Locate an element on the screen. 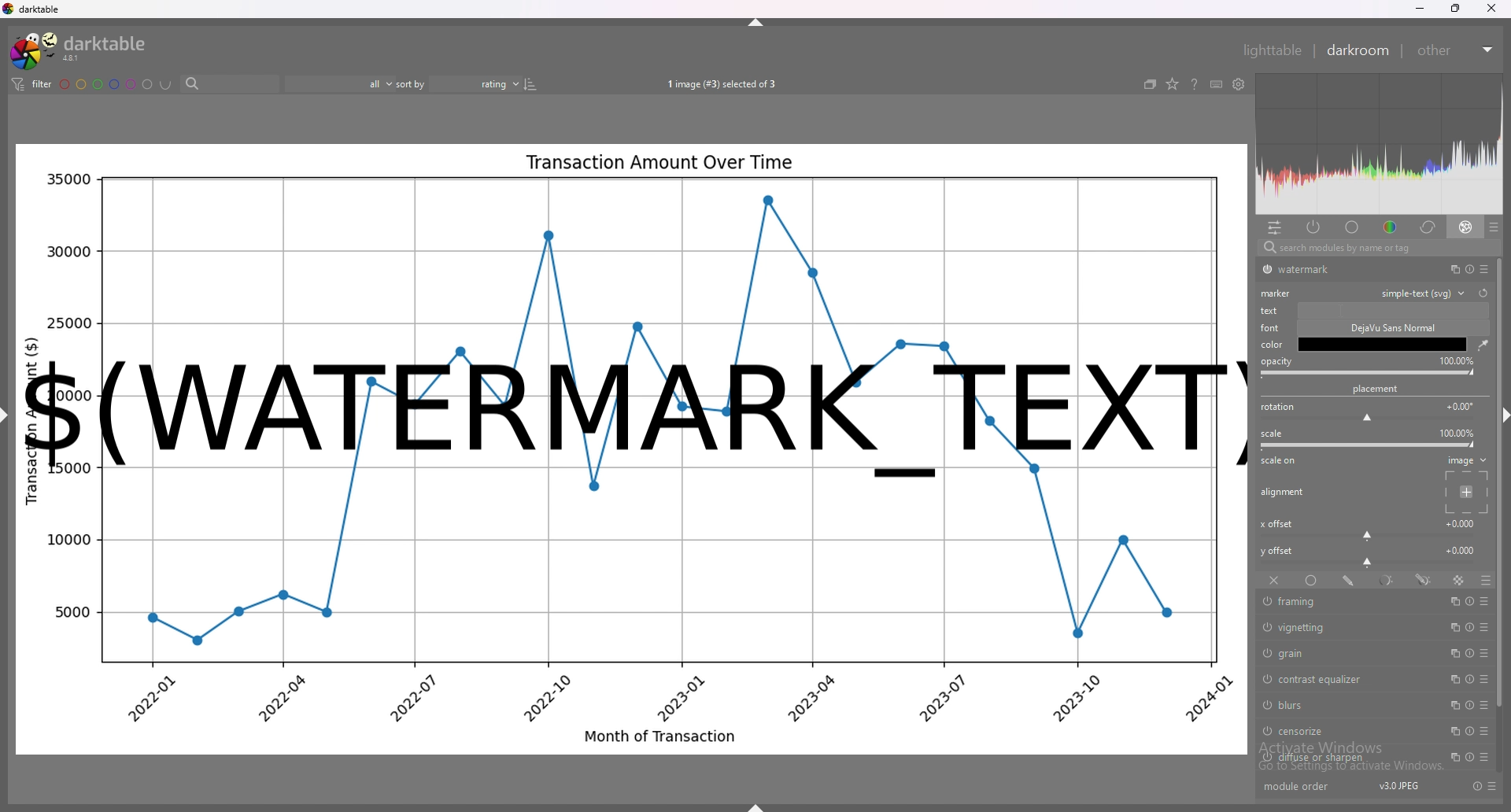 Image resolution: width=1511 pixels, height=812 pixels. module order is located at coordinates (1304, 788).